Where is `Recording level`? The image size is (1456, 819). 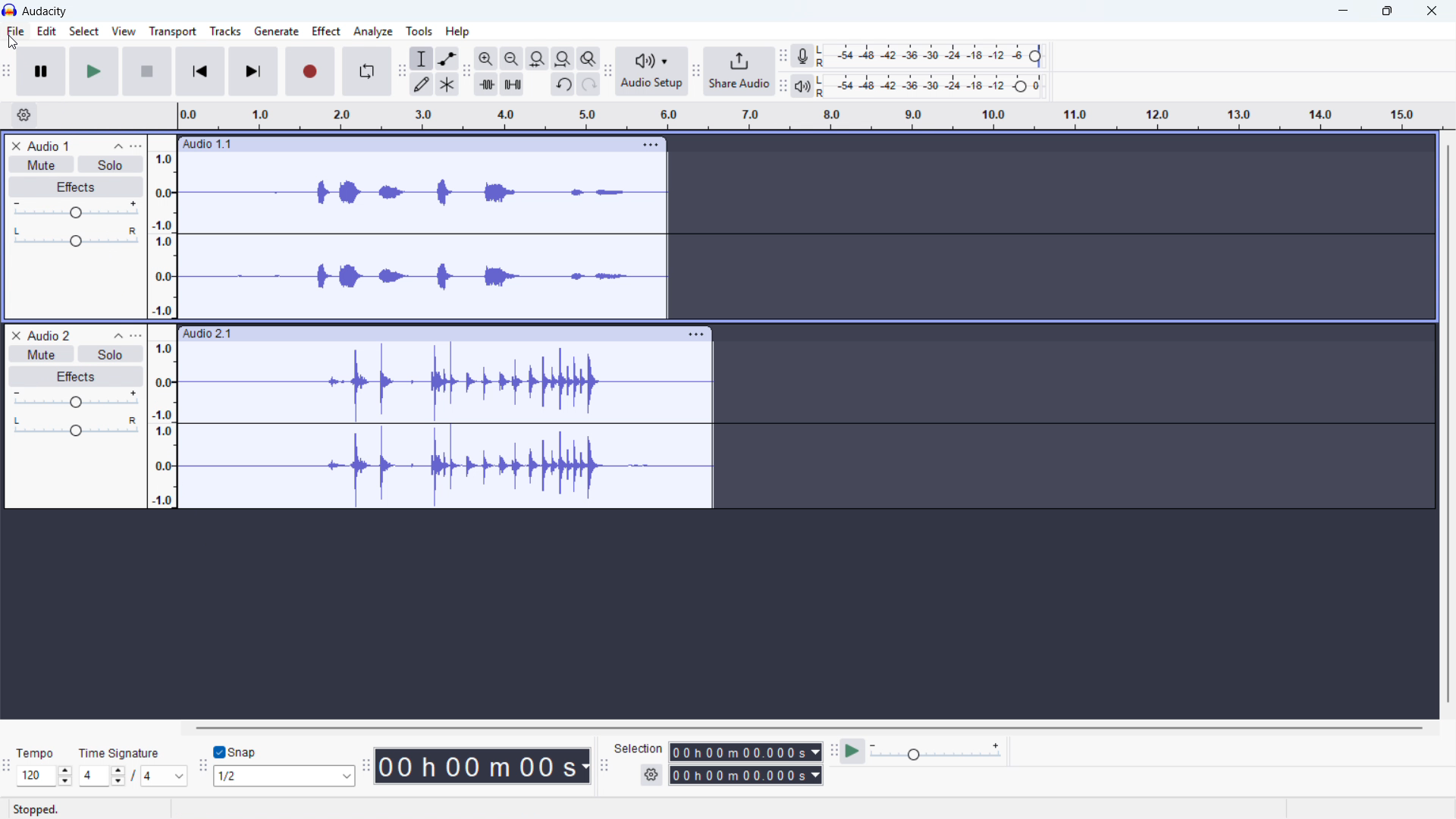
Recording level is located at coordinates (934, 86).